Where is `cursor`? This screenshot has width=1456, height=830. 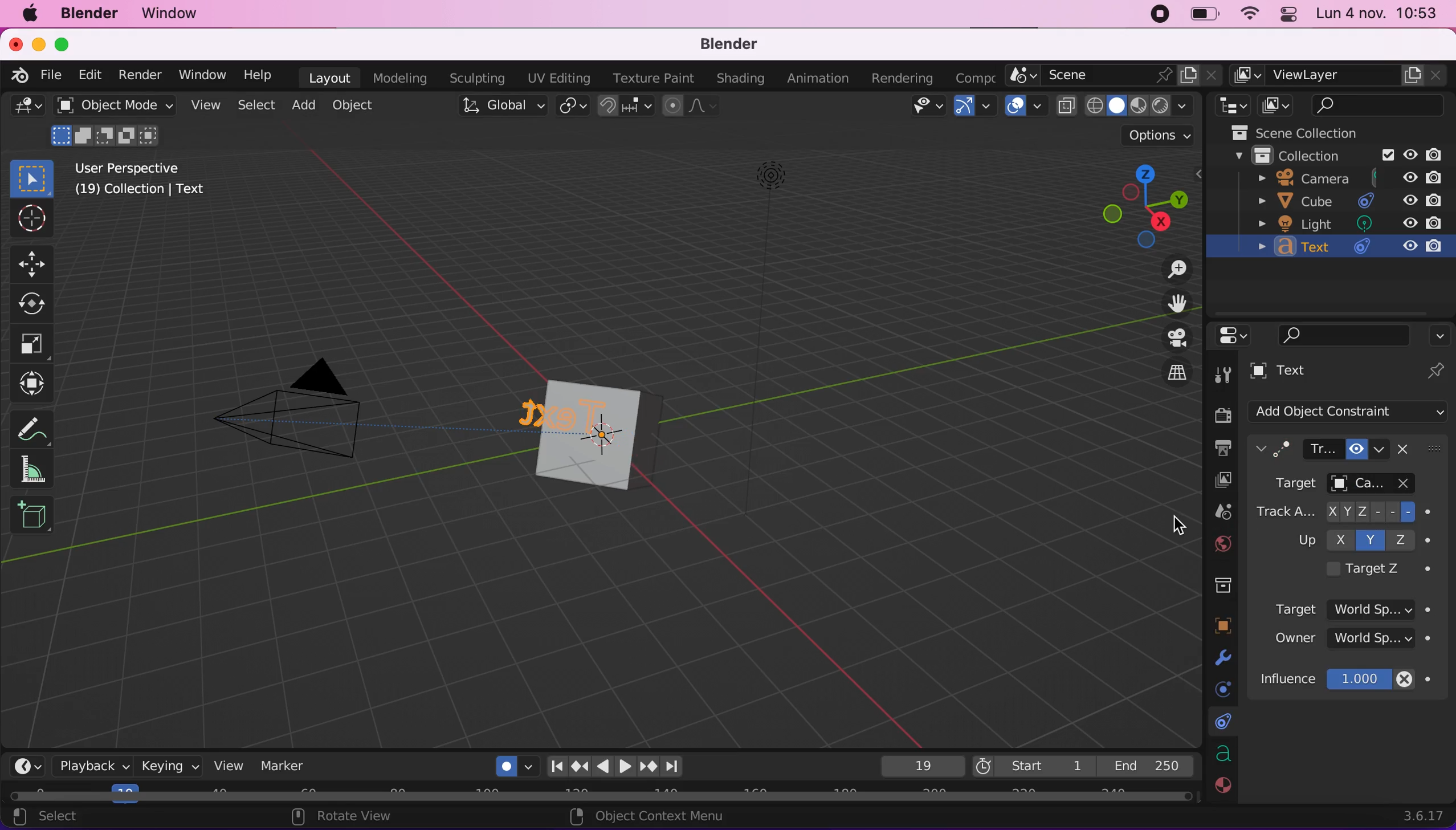
cursor is located at coordinates (29, 220).